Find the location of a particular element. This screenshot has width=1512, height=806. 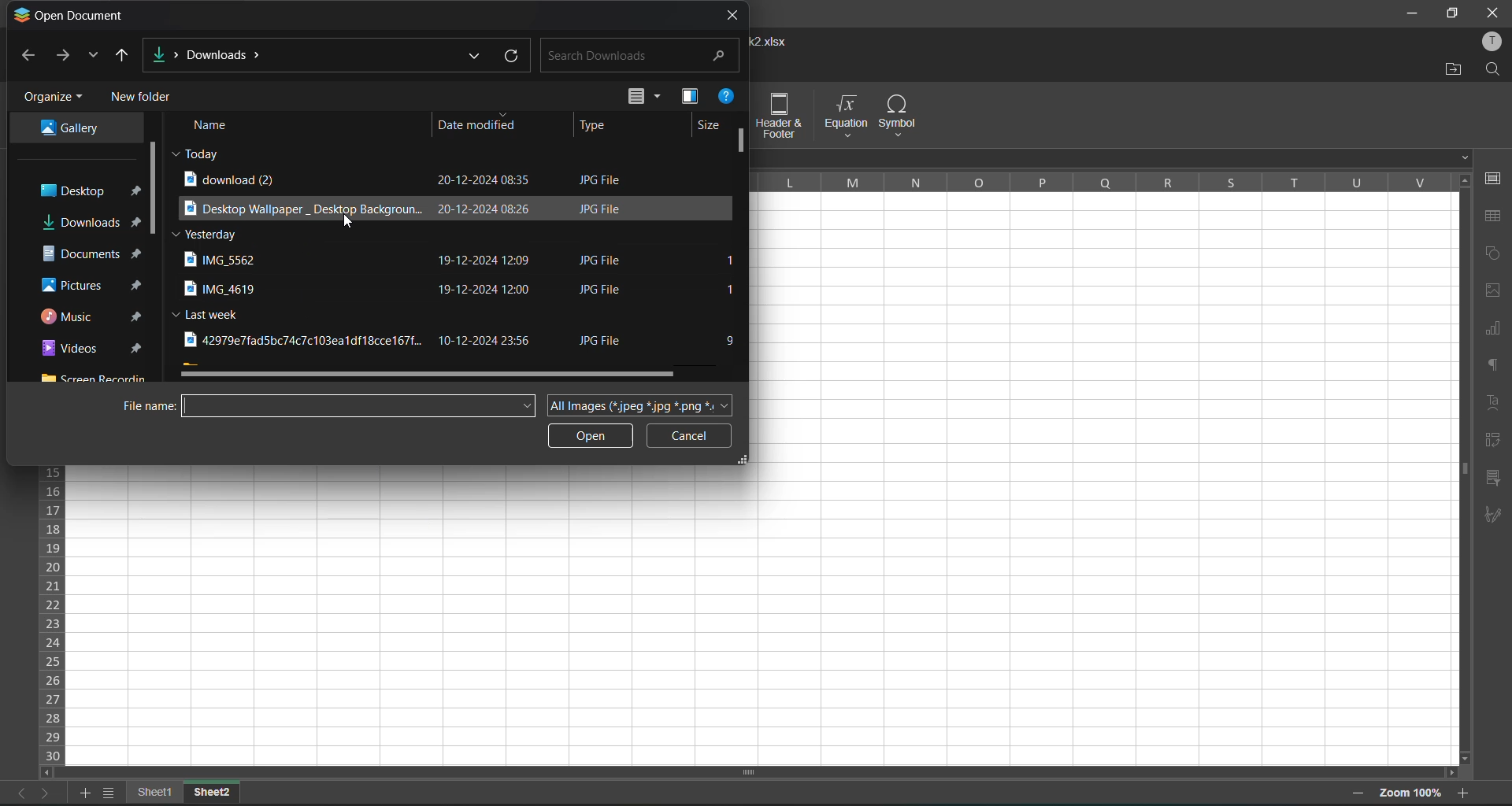

charts is located at coordinates (1494, 331).